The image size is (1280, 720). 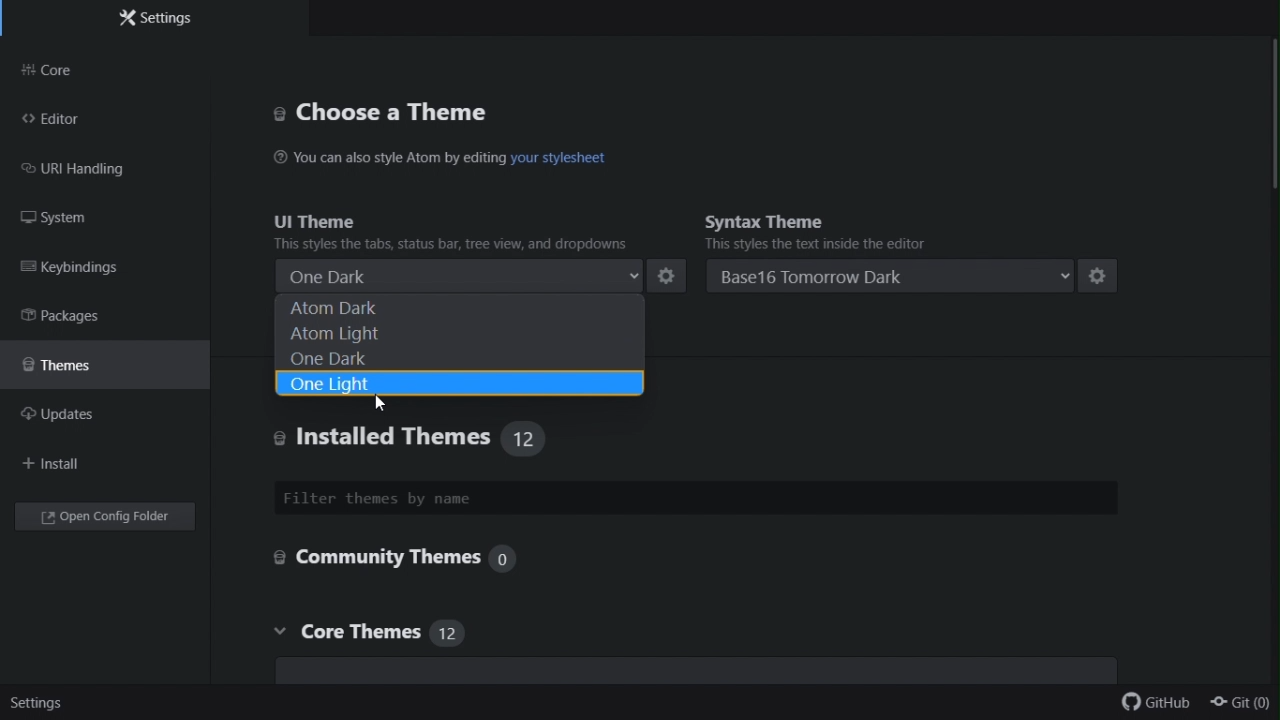 What do you see at coordinates (669, 276) in the screenshot?
I see `setting` at bounding box center [669, 276].